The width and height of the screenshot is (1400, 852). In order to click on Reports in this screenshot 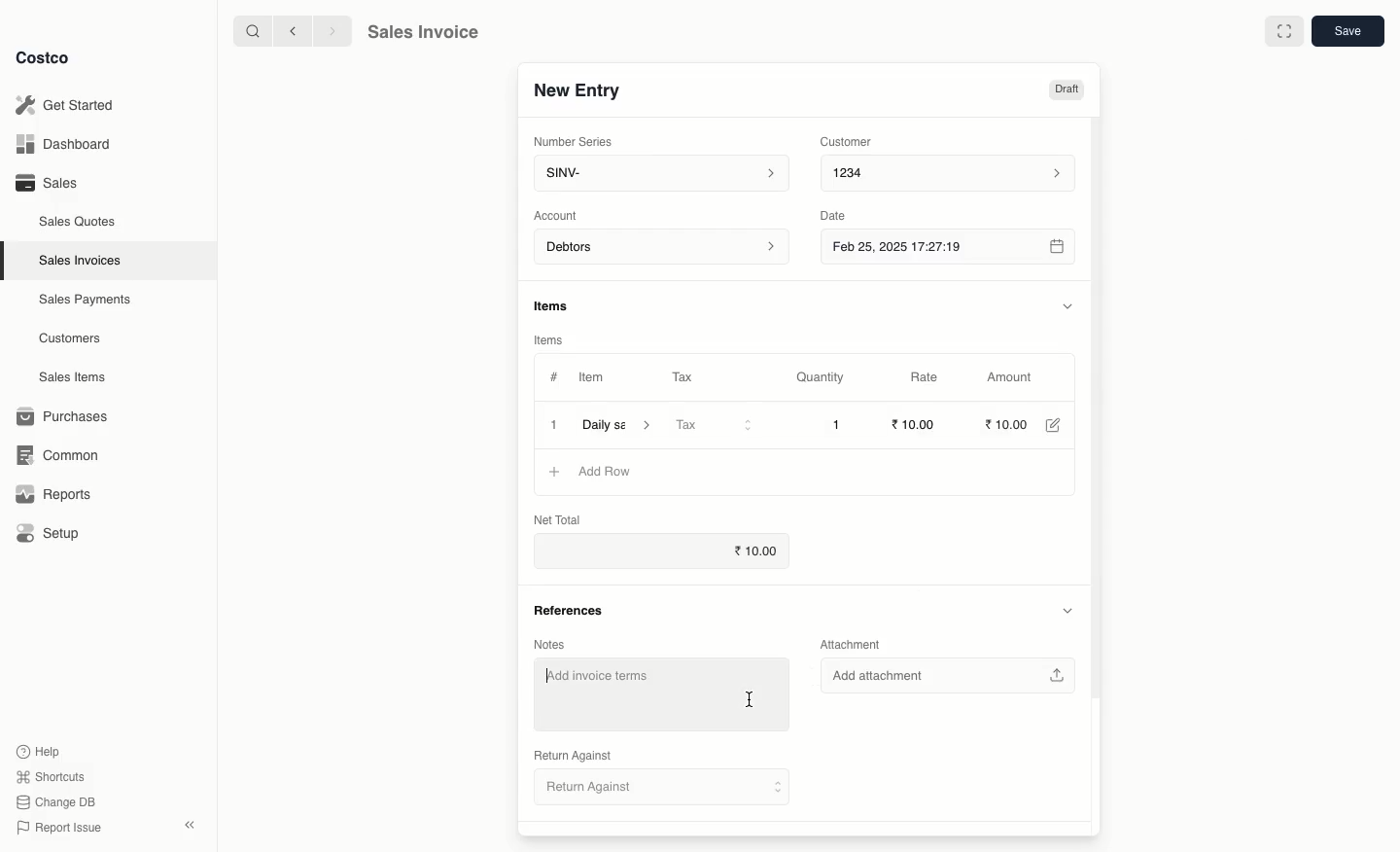, I will do `click(53, 496)`.